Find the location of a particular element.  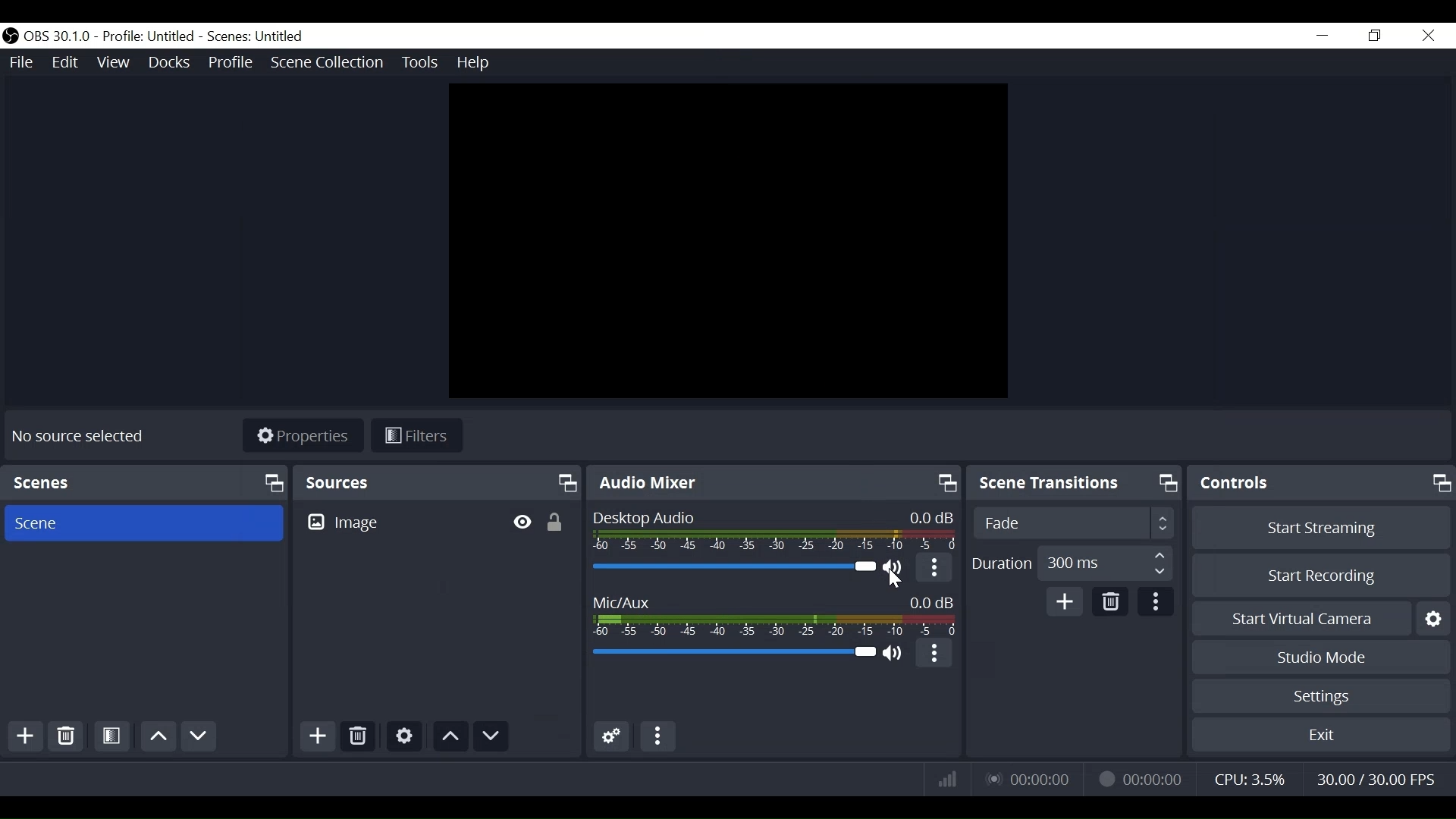

Move down is located at coordinates (198, 736).